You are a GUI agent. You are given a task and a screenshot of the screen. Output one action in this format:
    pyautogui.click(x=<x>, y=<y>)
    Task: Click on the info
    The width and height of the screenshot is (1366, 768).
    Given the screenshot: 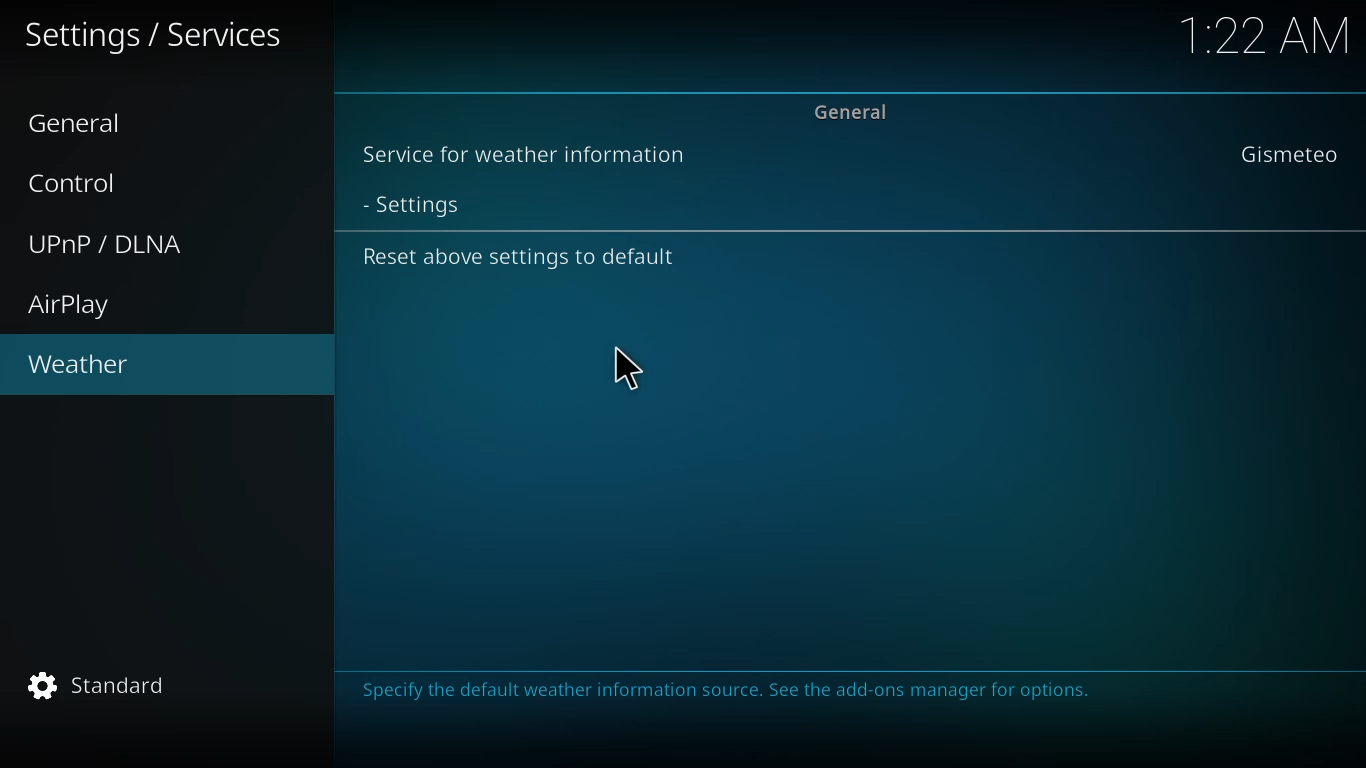 What is the action you would take?
    pyautogui.click(x=731, y=693)
    